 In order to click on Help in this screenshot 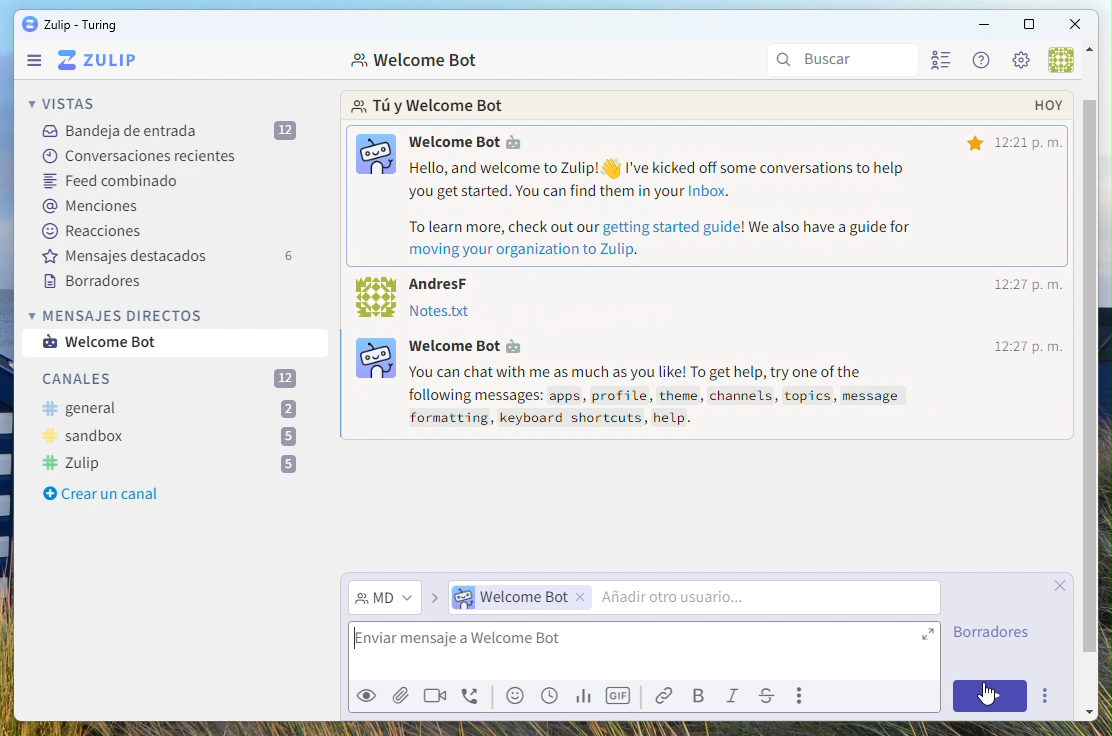, I will do `click(978, 60)`.